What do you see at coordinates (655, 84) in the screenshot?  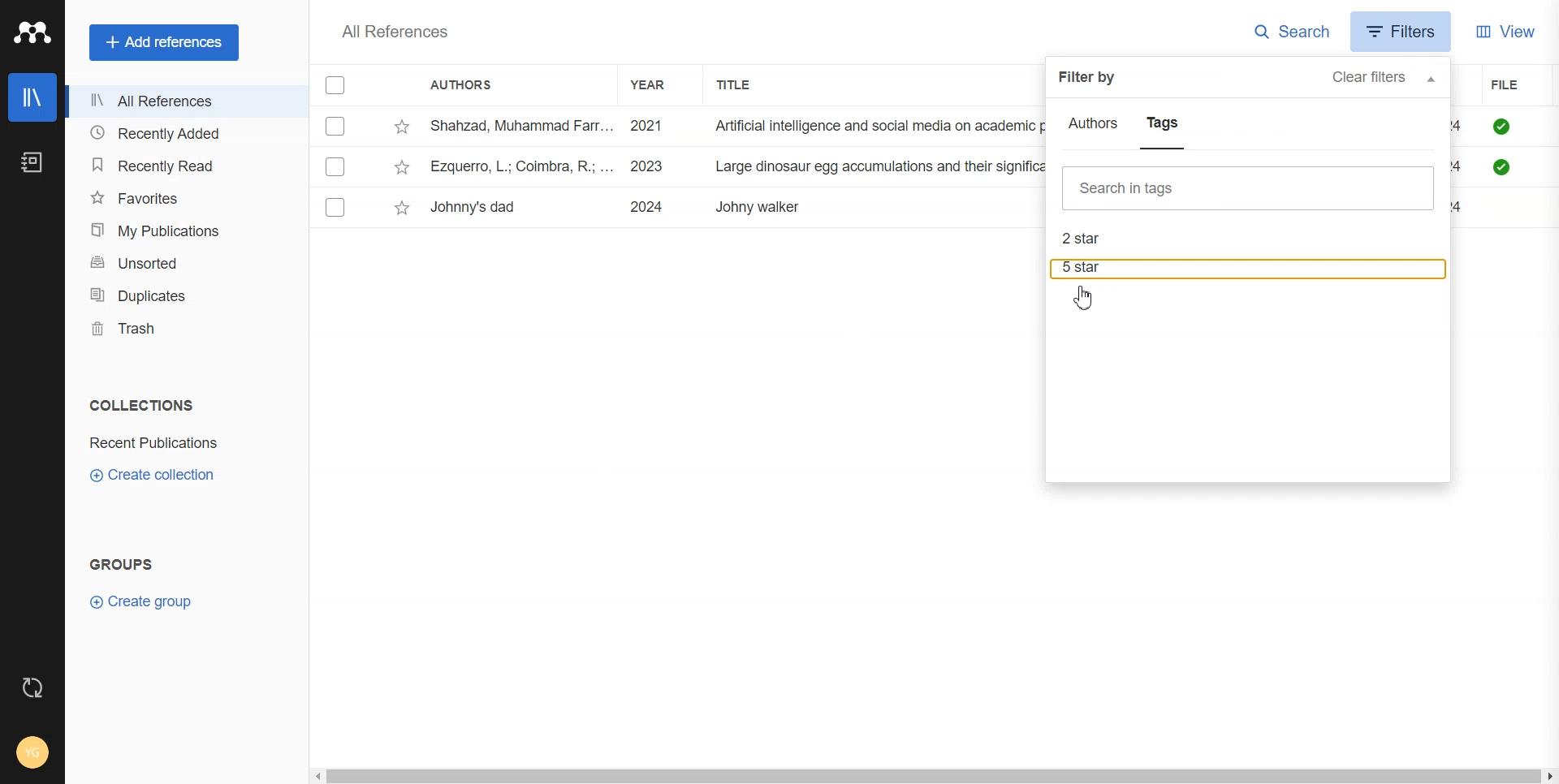 I see `Year` at bounding box center [655, 84].